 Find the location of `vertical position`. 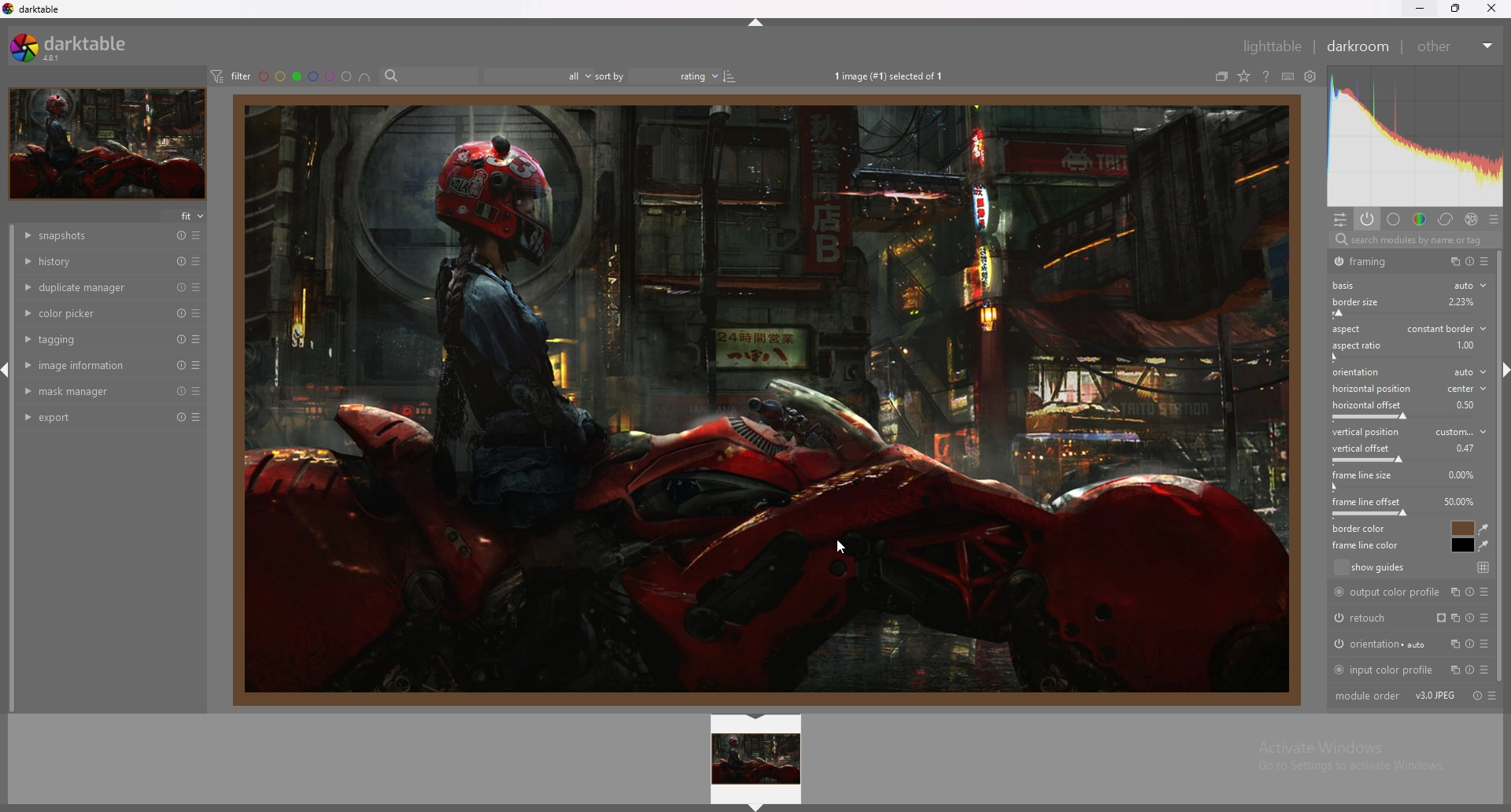

vertical position is located at coordinates (1409, 431).